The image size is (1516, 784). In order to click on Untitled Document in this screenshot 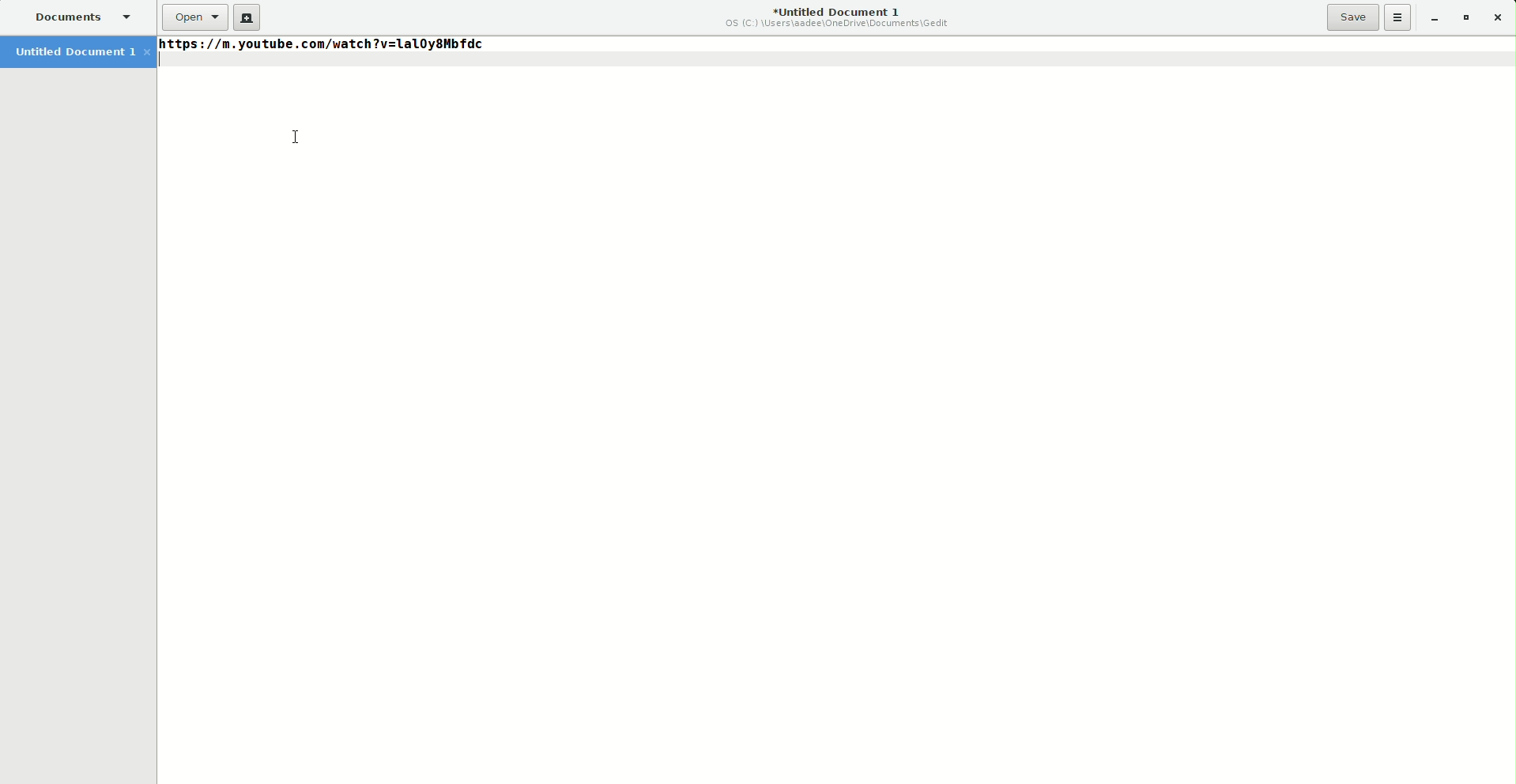, I will do `click(77, 53)`.